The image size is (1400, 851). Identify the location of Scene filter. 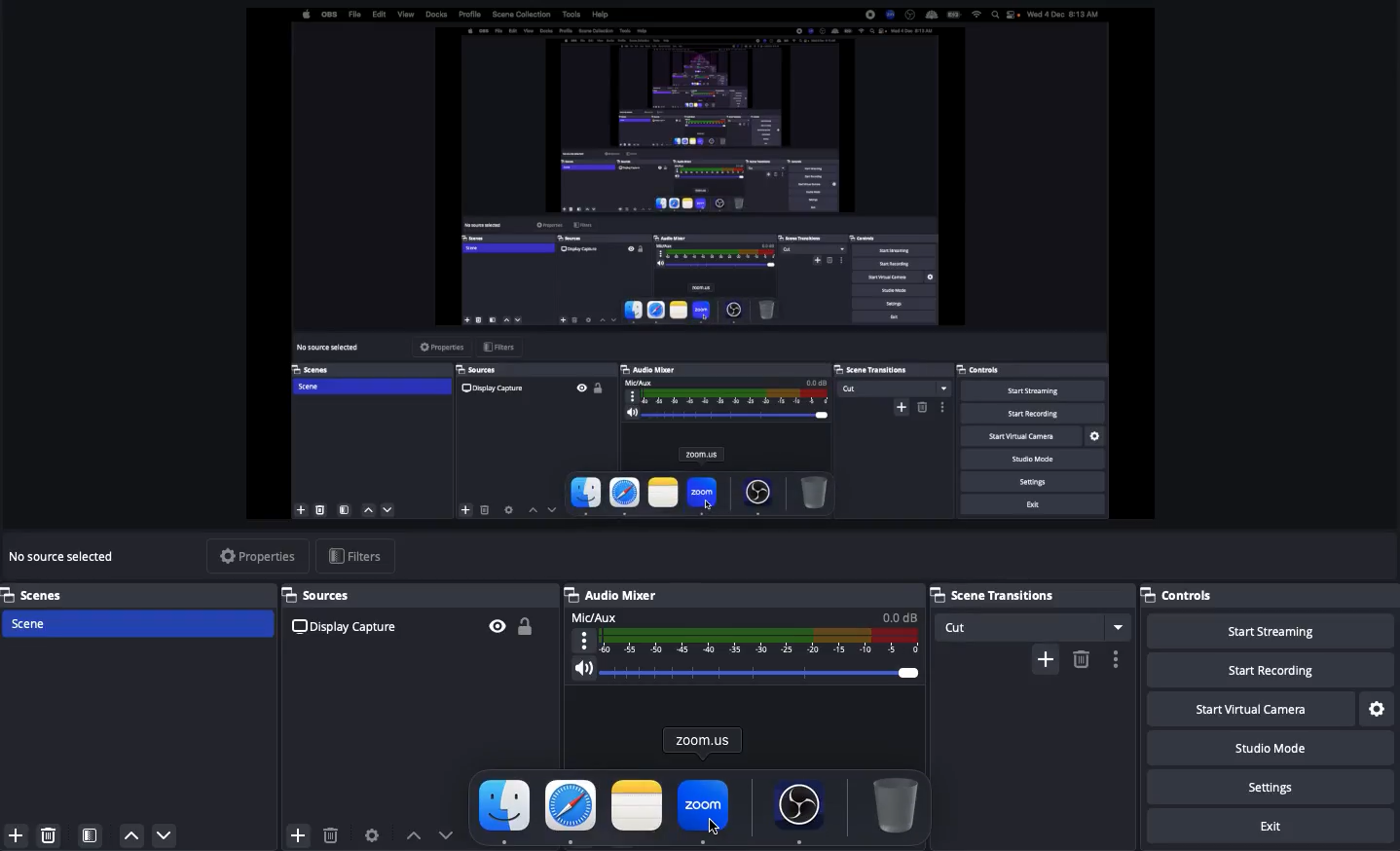
(91, 836).